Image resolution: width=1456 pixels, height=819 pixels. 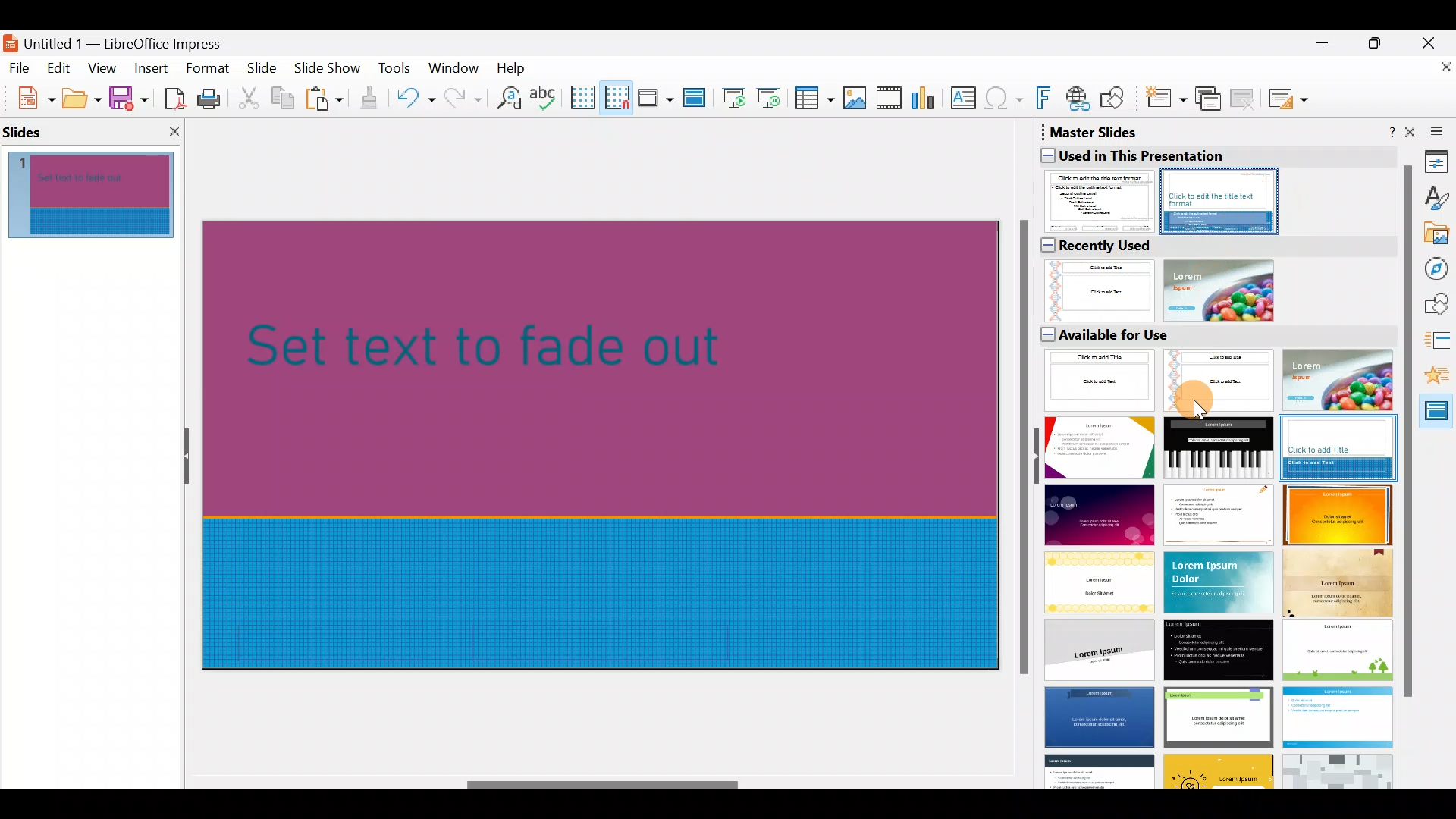 I want to click on Show draw functions, so click(x=1116, y=99).